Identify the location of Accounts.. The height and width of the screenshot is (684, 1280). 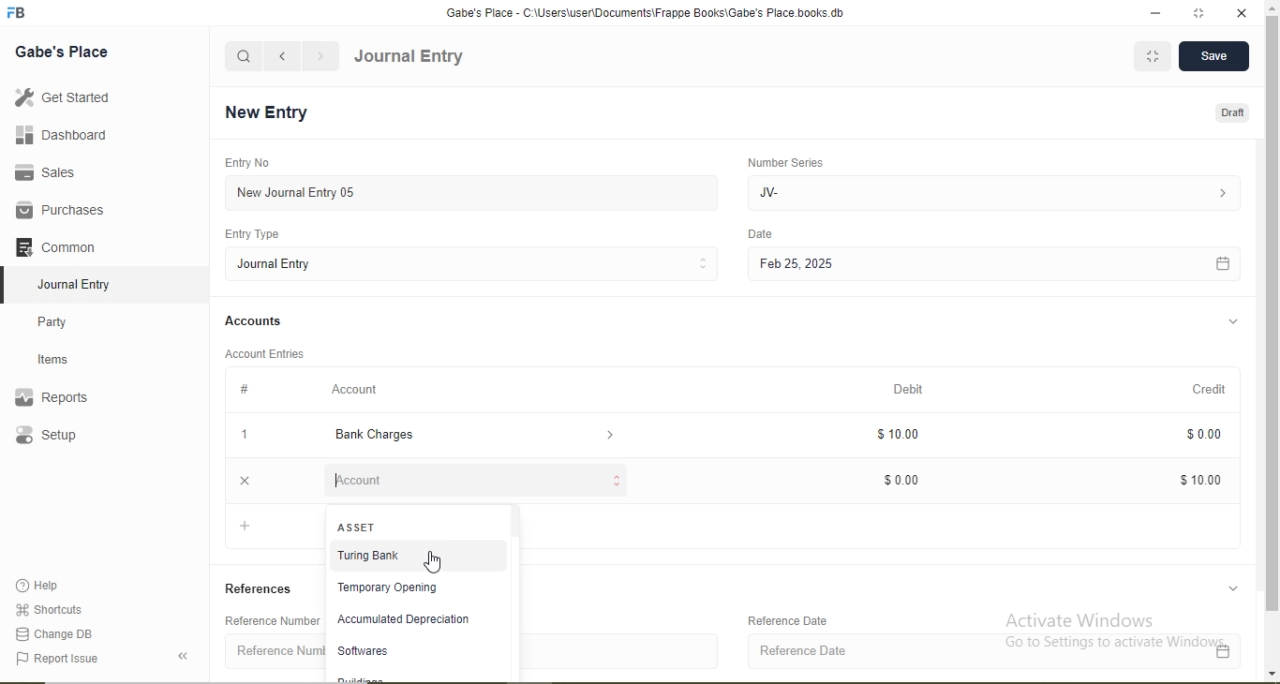
(254, 321).